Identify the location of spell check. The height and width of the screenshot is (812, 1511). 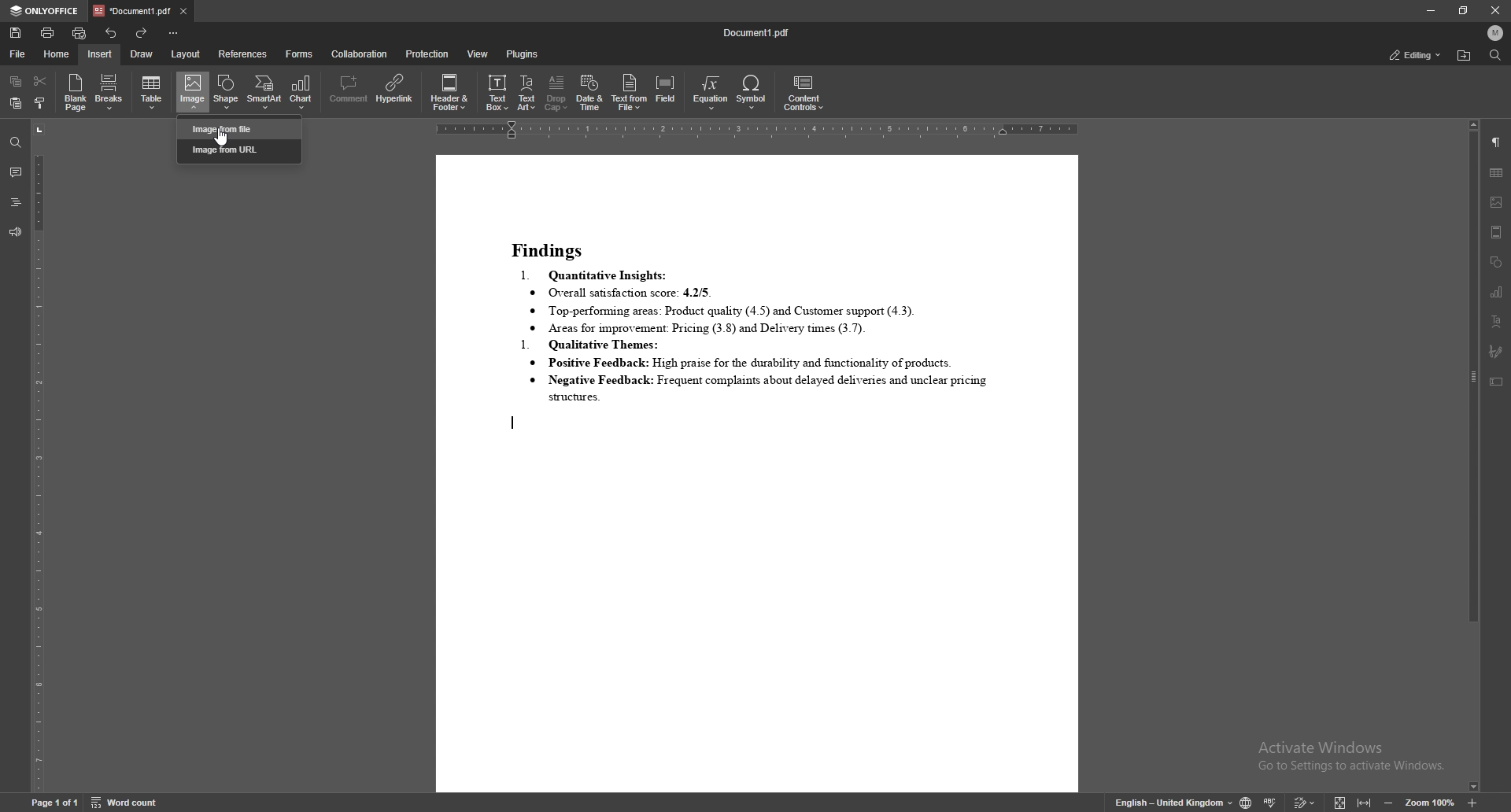
(1271, 803).